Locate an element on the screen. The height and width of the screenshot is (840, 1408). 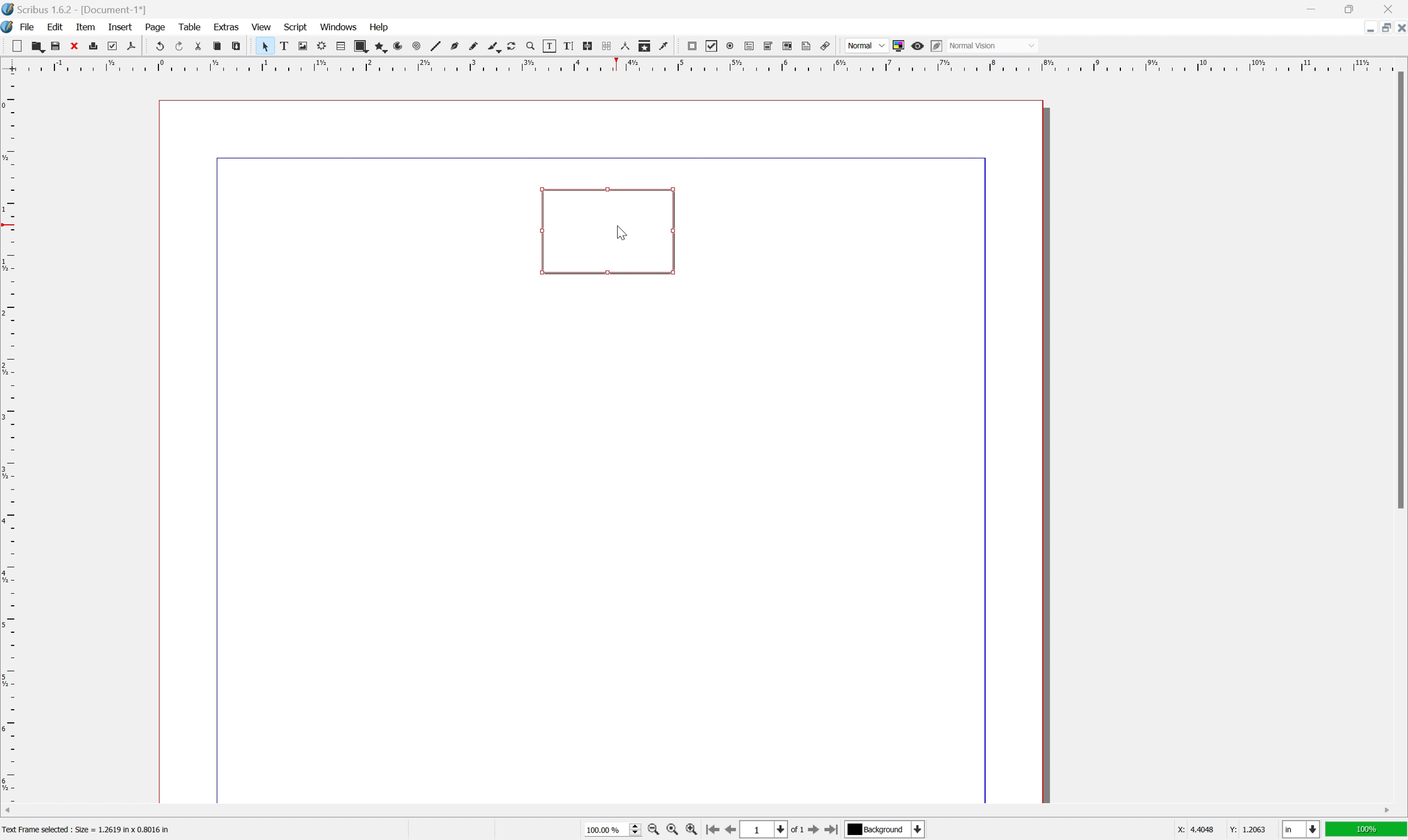
extras is located at coordinates (227, 27).